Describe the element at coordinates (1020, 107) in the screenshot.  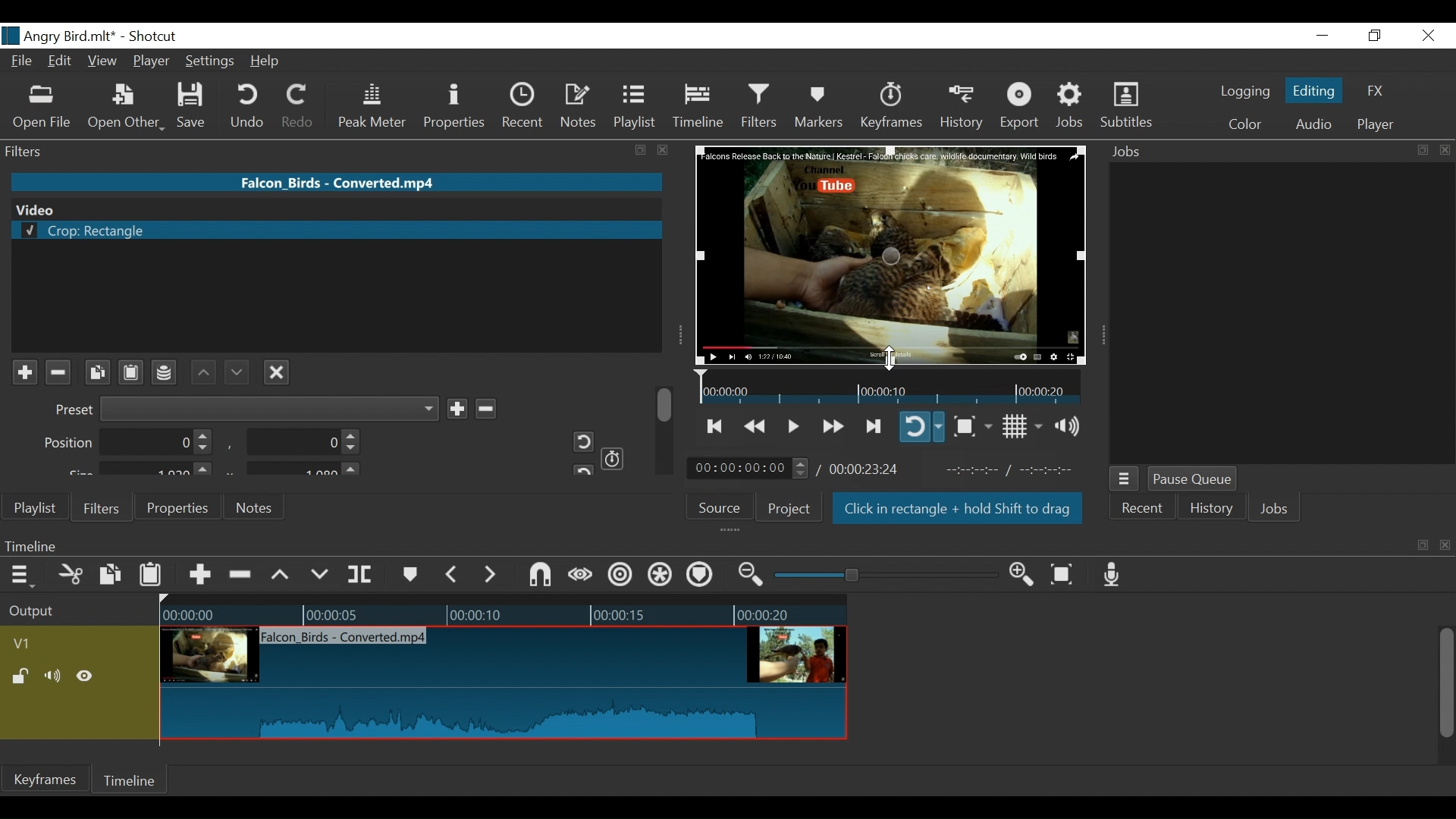
I see `Export` at that location.